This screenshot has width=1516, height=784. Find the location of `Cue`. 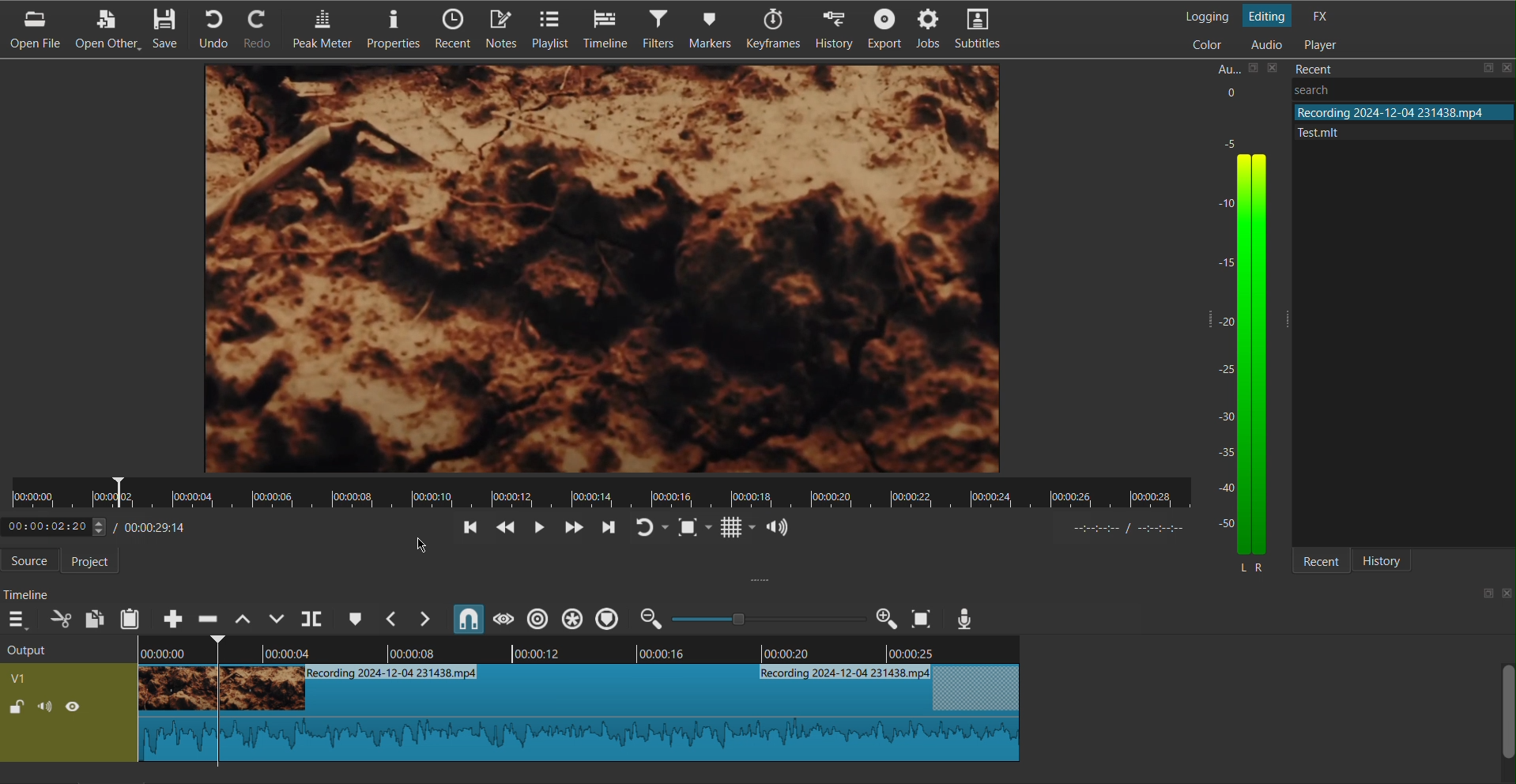

Cue is located at coordinates (354, 617).